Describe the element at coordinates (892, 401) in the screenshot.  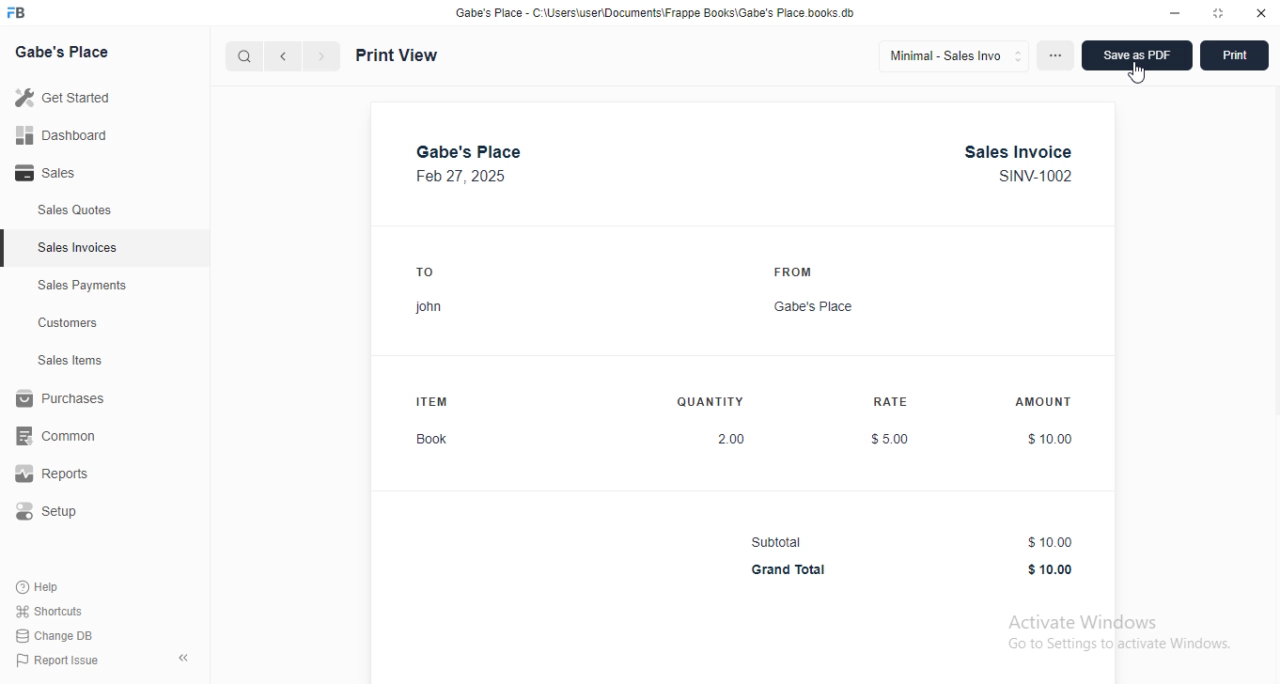
I see `RATE` at that location.